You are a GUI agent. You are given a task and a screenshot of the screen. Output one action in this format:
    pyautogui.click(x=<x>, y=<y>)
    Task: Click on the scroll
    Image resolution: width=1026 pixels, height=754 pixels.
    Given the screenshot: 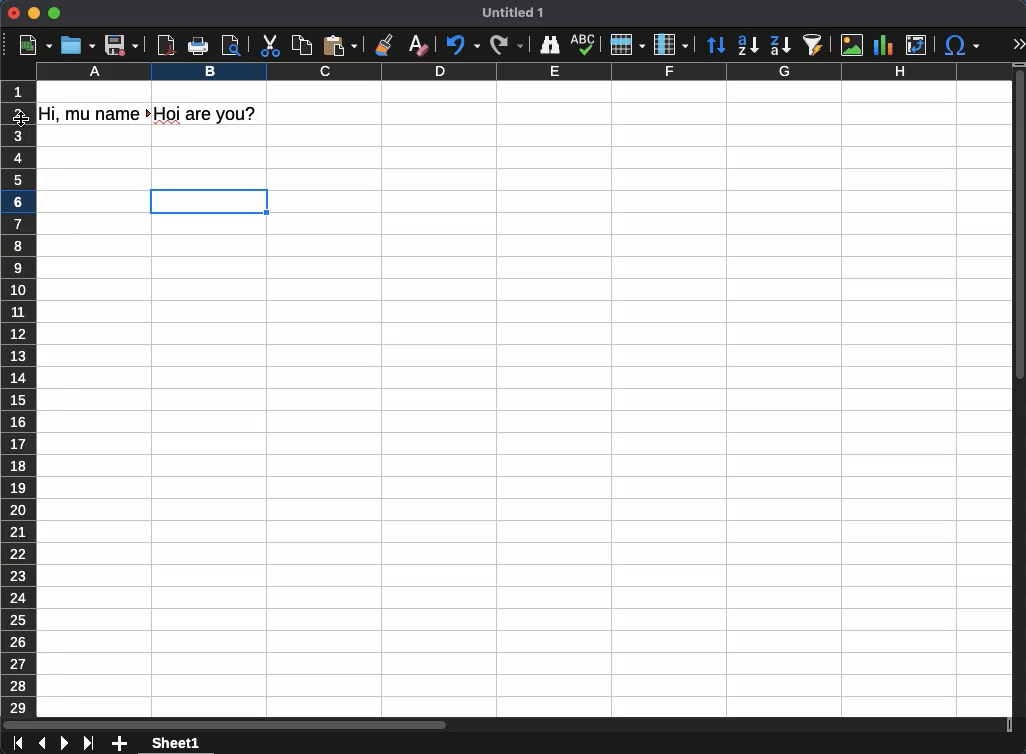 What is the action you would take?
    pyautogui.click(x=1020, y=391)
    